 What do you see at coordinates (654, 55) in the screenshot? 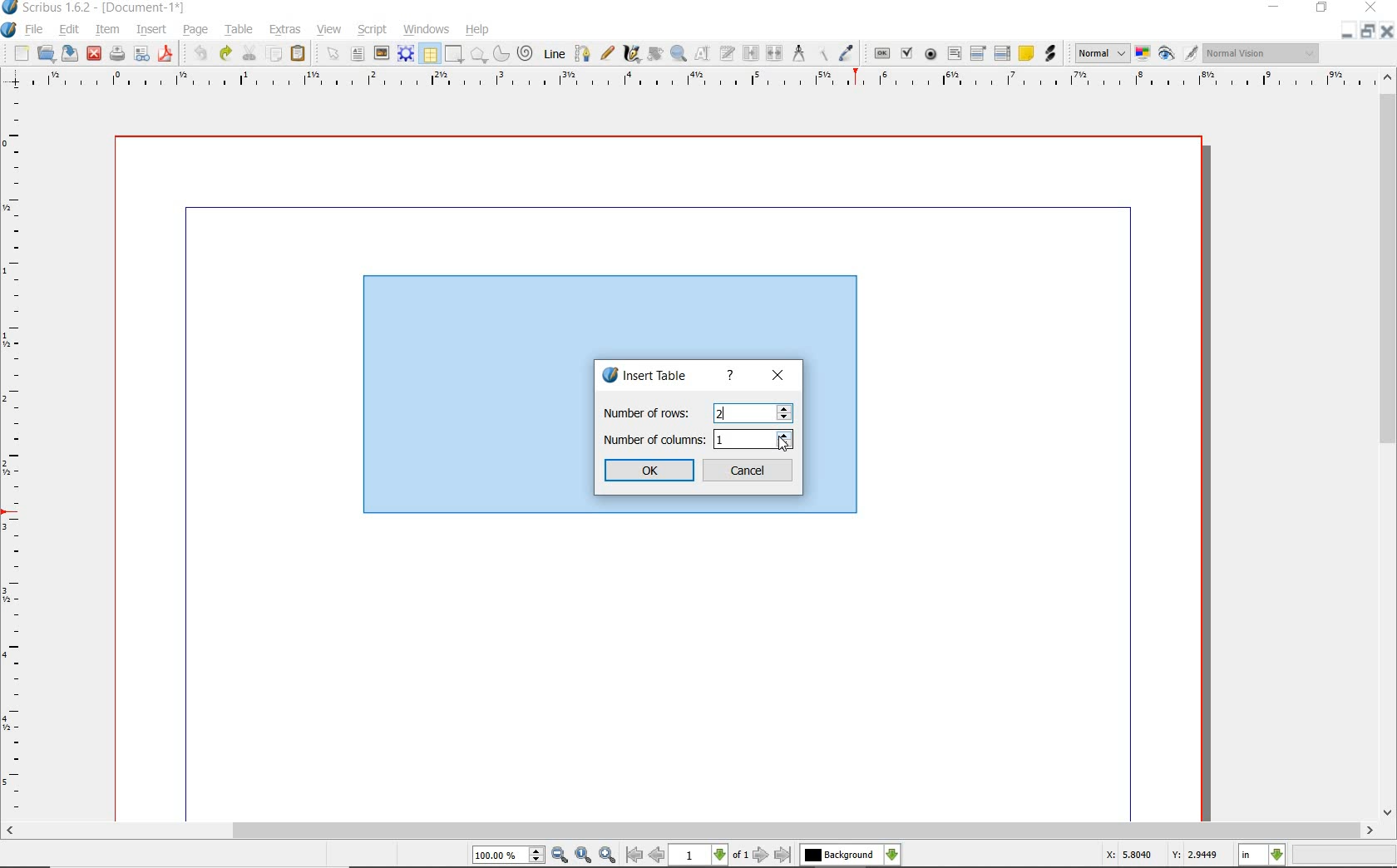
I see `rotate item` at bounding box center [654, 55].